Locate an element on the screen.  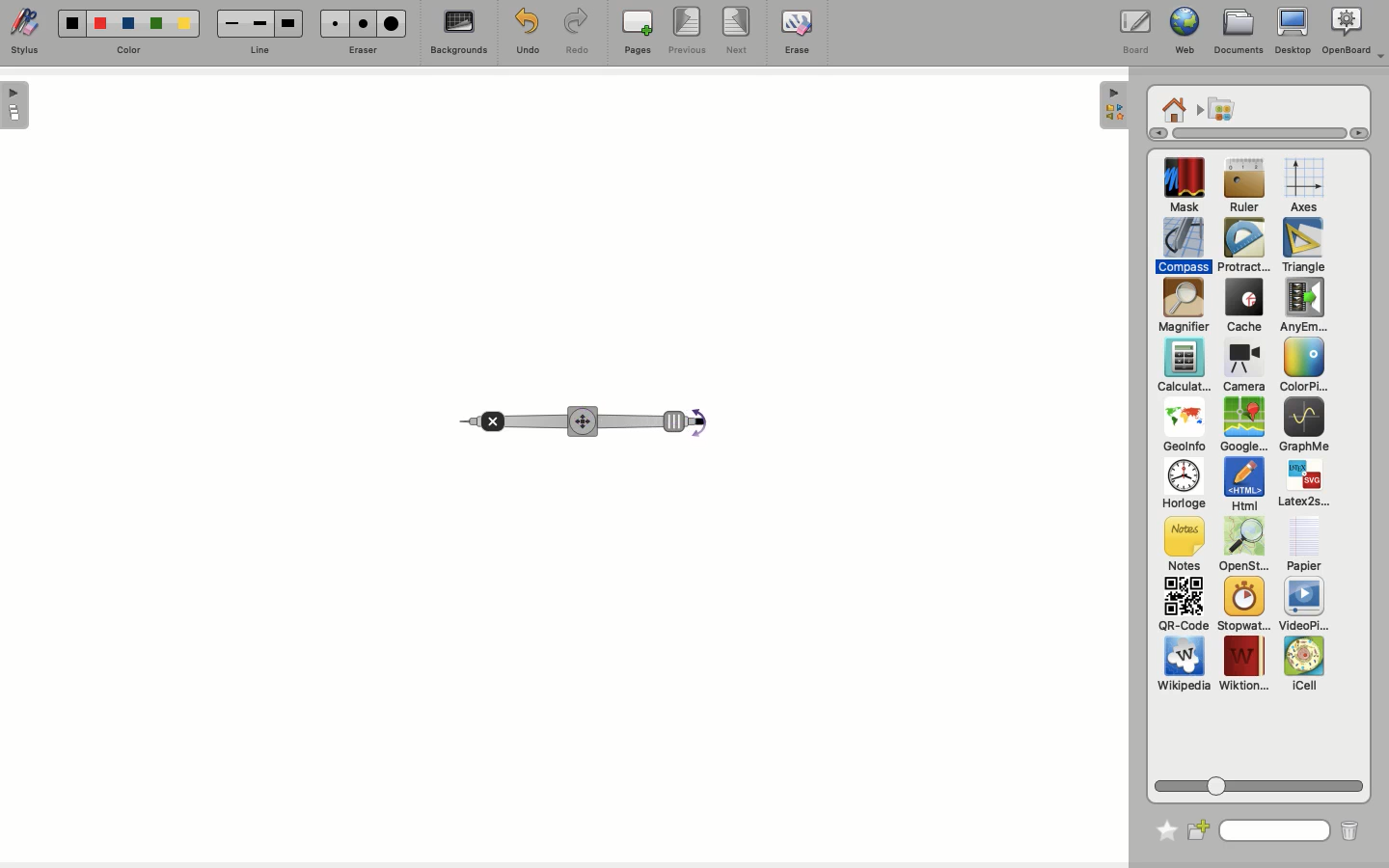
Magnifier is located at coordinates (1183, 306).